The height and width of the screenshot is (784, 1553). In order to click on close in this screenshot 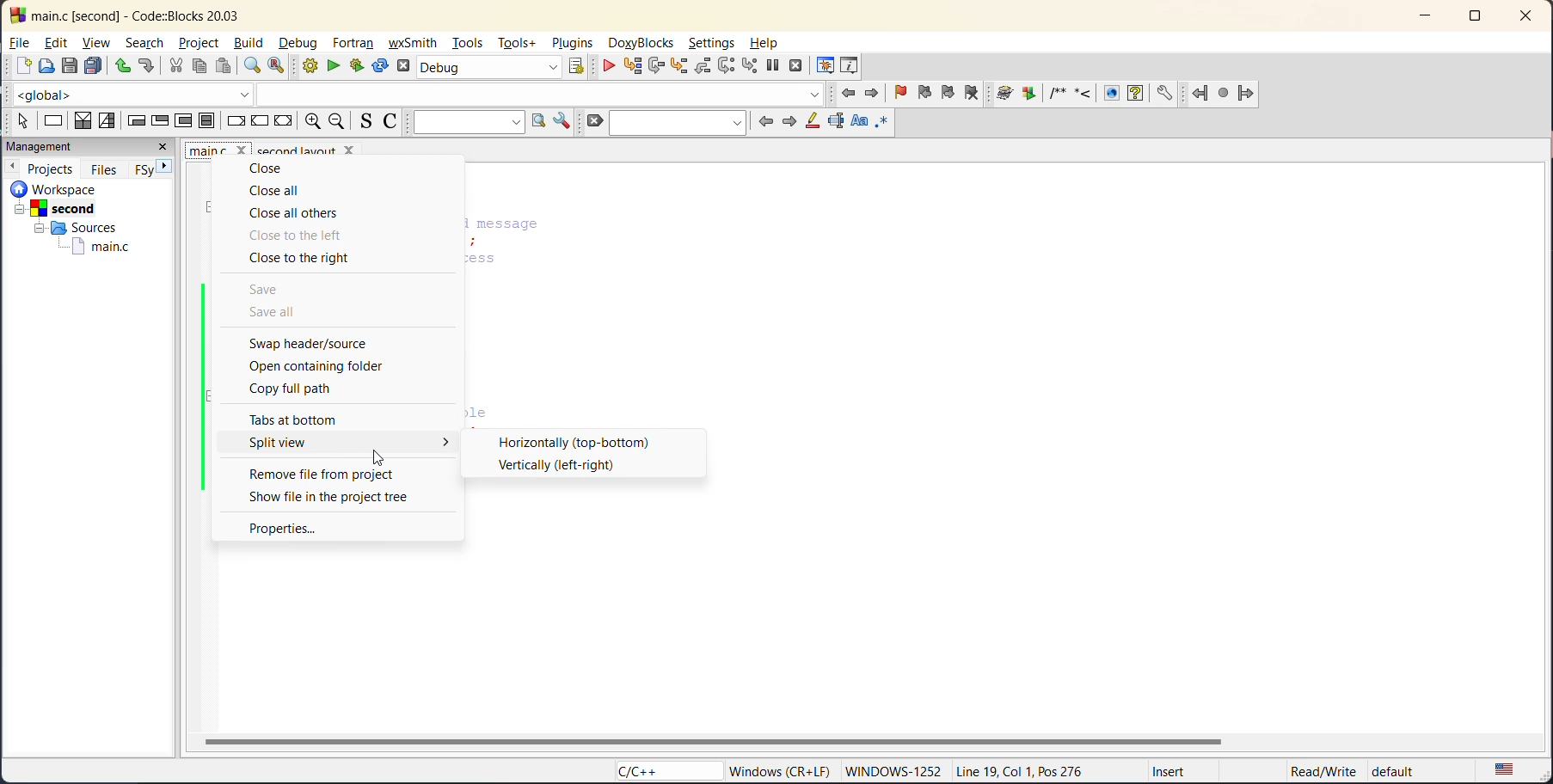, I will do `click(272, 169)`.